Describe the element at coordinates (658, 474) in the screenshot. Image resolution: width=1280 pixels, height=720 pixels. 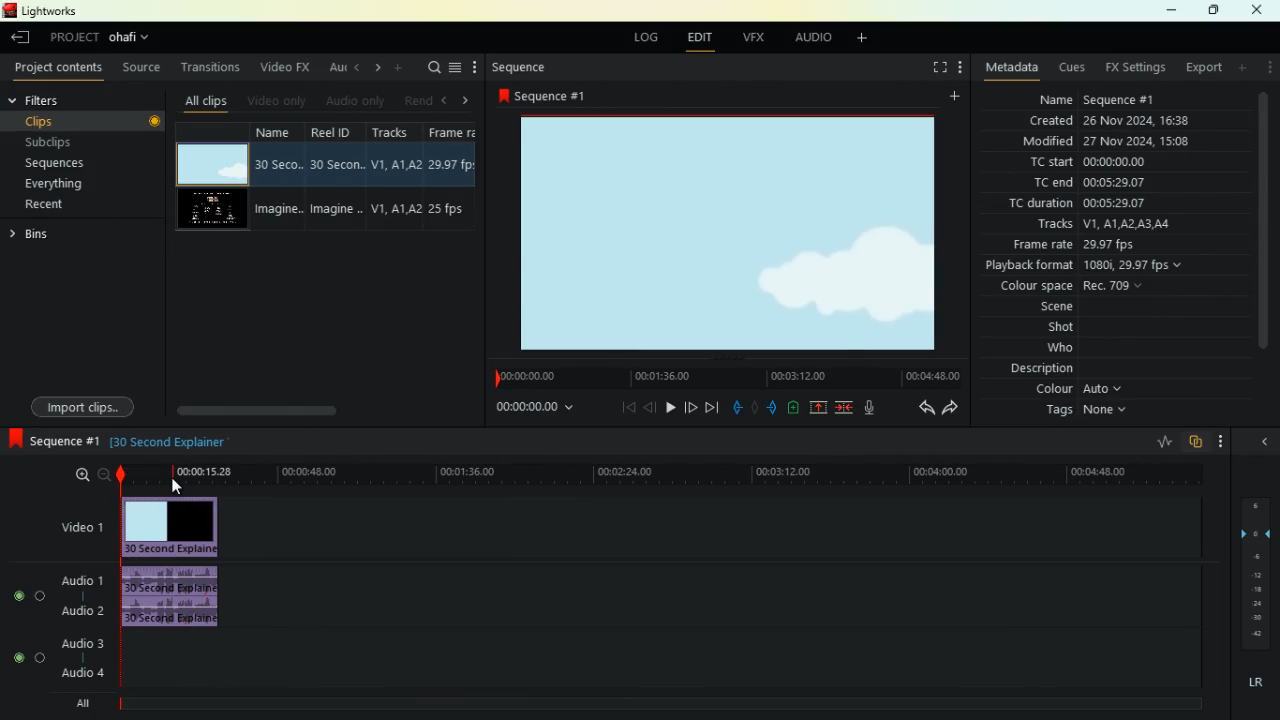
I see `timeline` at that location.